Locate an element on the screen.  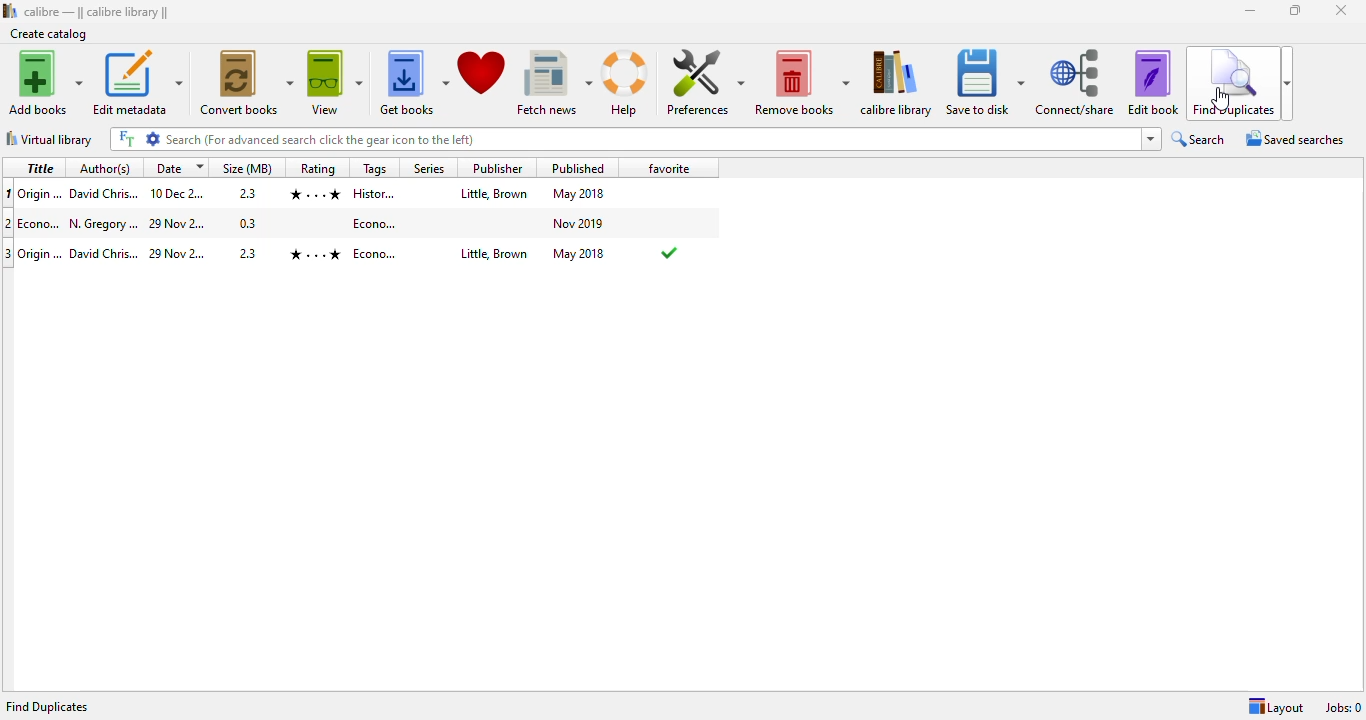
Econo...N.Dregory...29 Nov 2...0.3 Econo... Nov 2019 is located at coordinates (312, 223).